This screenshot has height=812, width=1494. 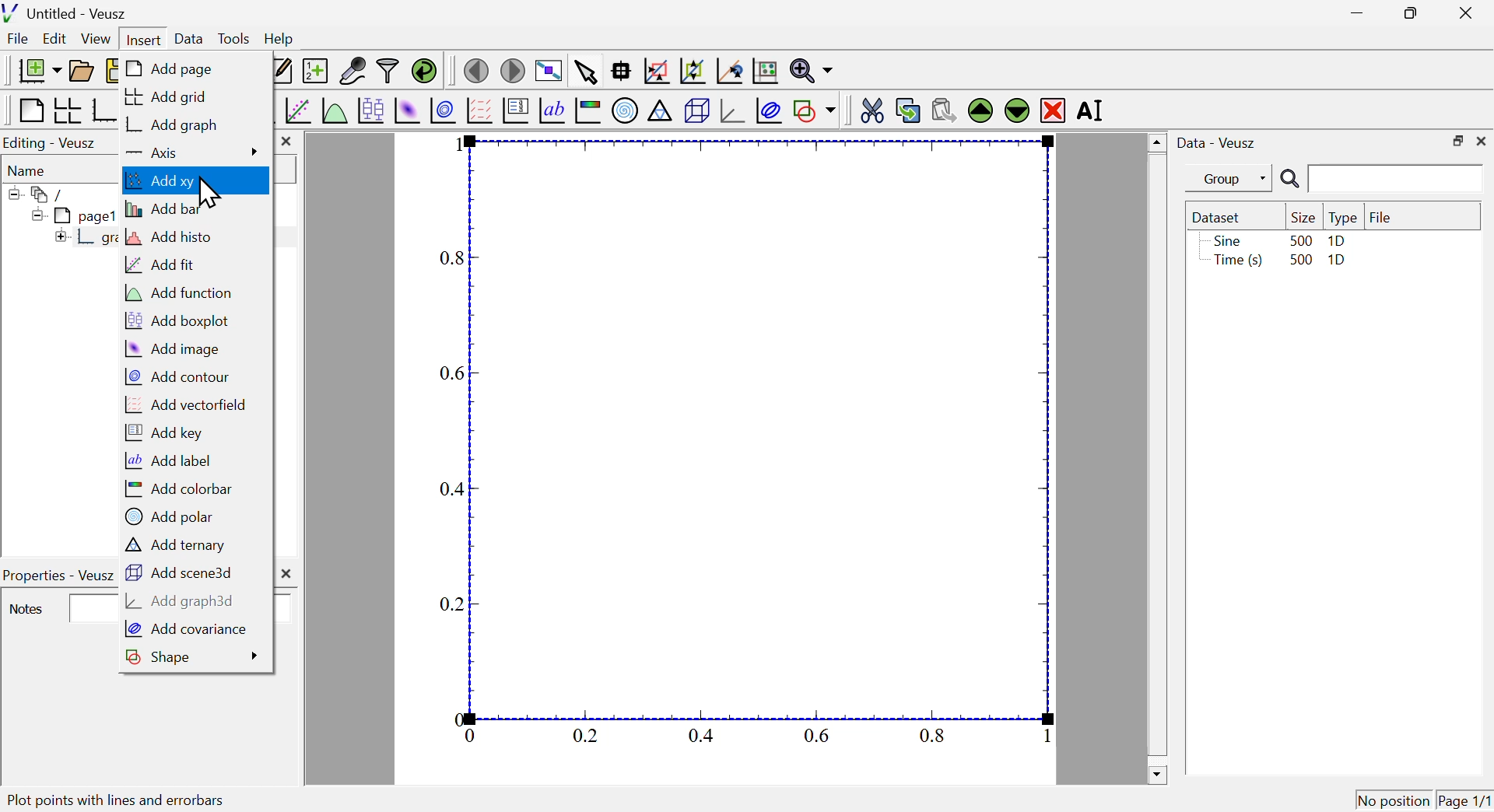 I want to click on zoom out of graph axes, so click(x=693, y=71).